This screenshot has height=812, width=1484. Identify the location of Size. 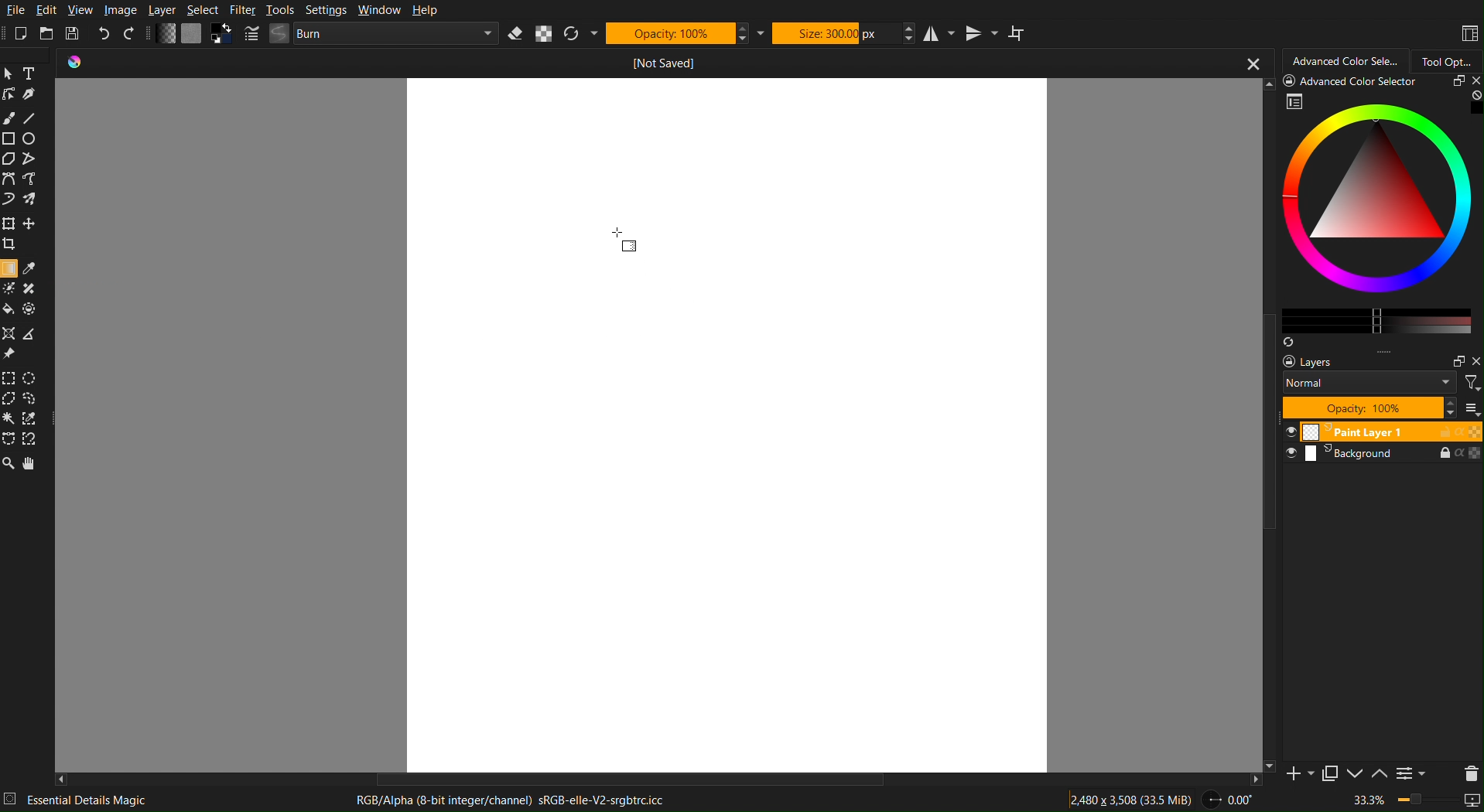
(834, 32).